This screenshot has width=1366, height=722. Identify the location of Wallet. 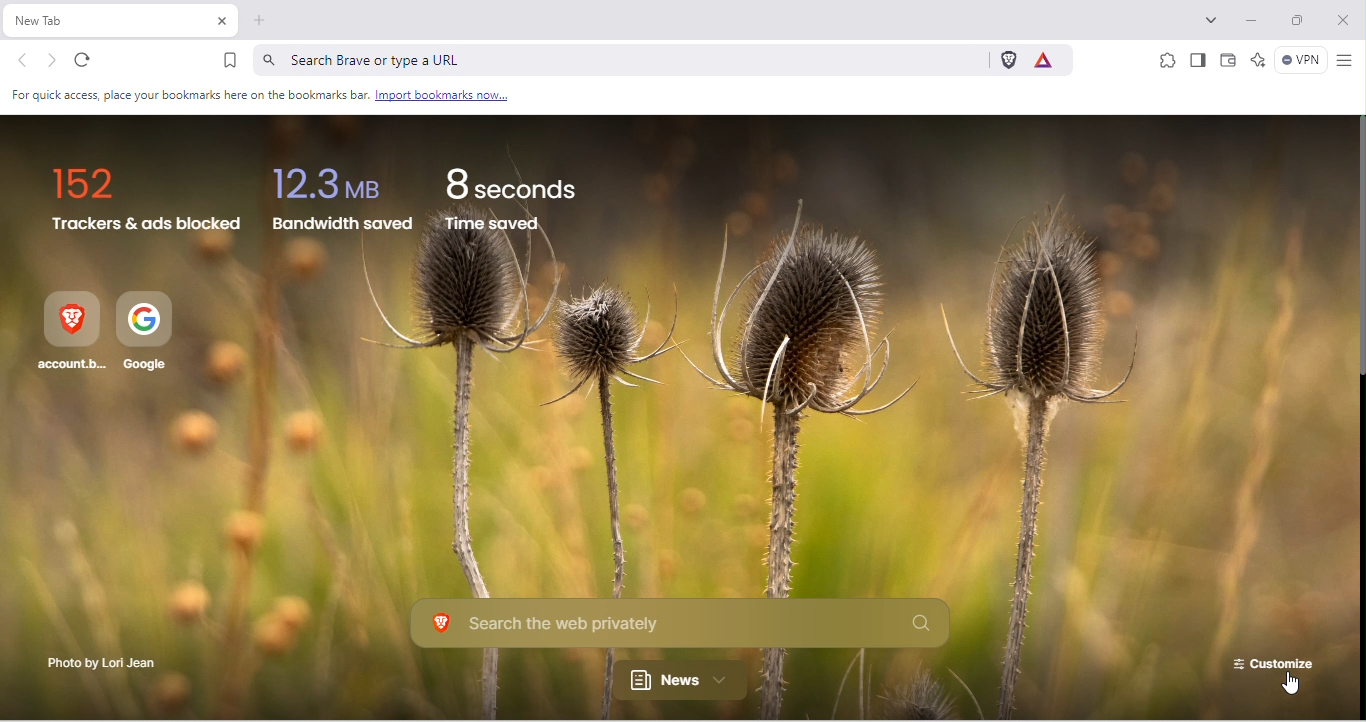
(1229, 63).